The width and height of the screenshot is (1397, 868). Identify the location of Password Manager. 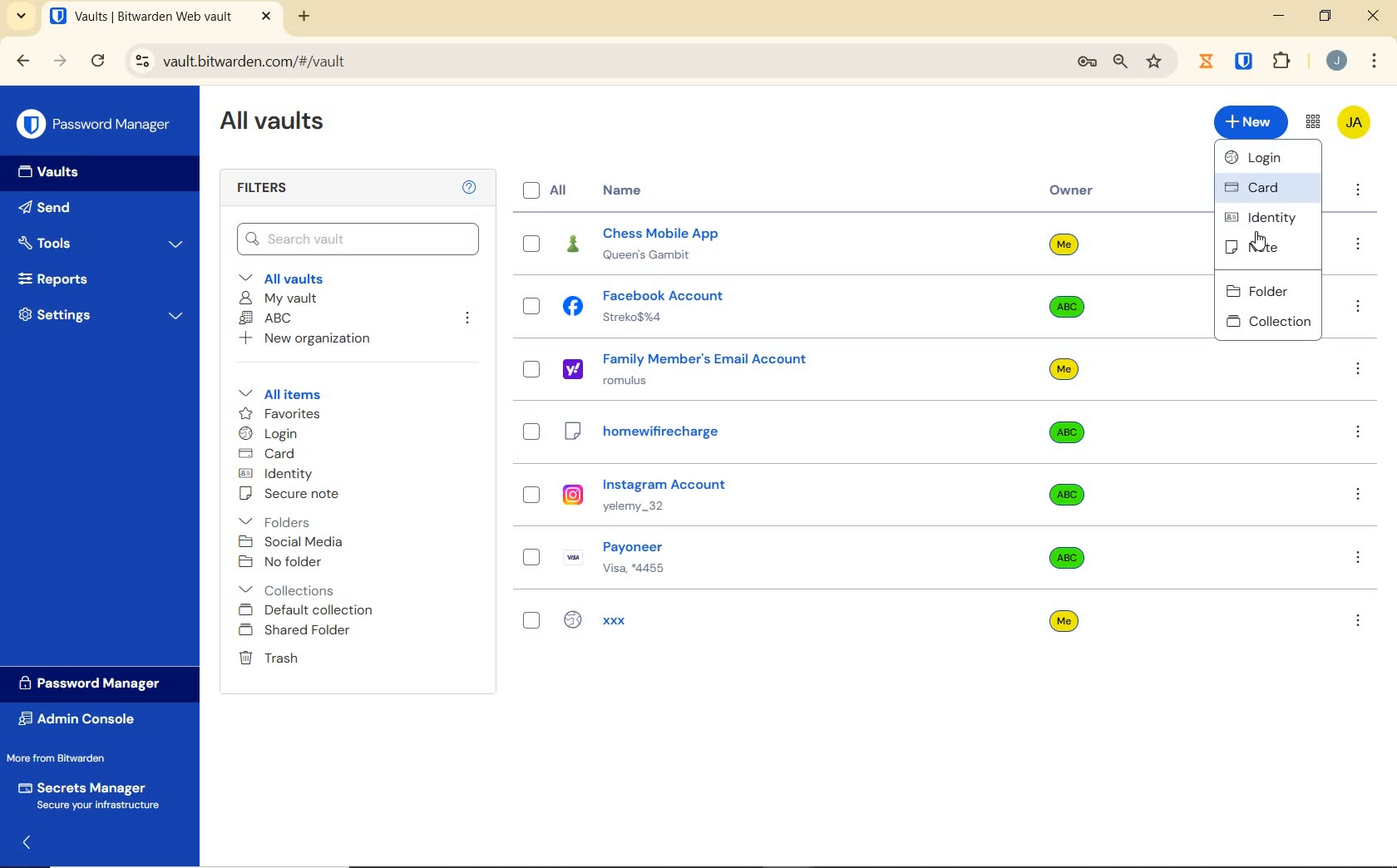
(95, 683).